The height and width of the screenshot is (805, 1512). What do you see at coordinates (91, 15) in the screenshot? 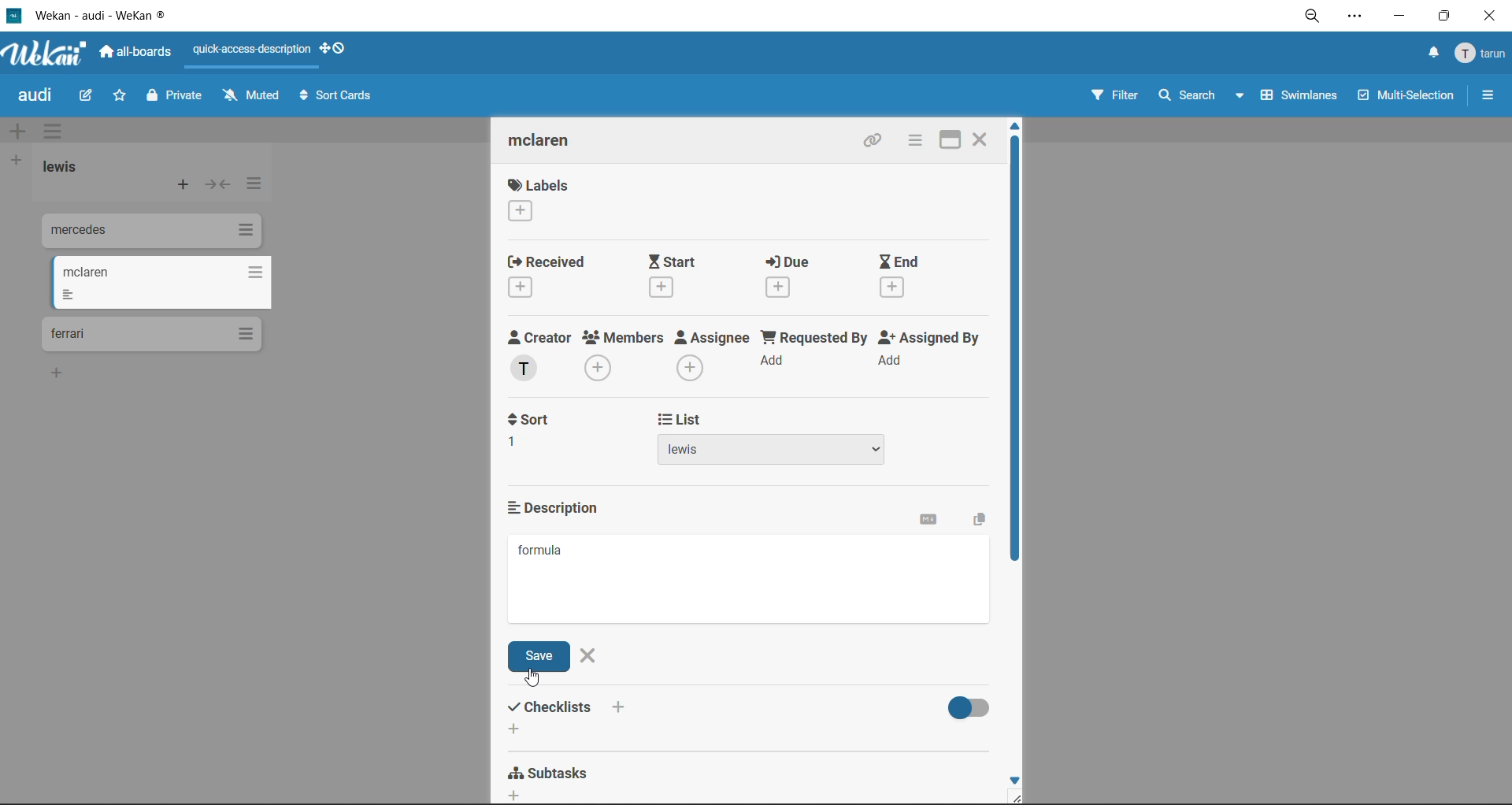
I see `app title` at bounding box center [91, 15].